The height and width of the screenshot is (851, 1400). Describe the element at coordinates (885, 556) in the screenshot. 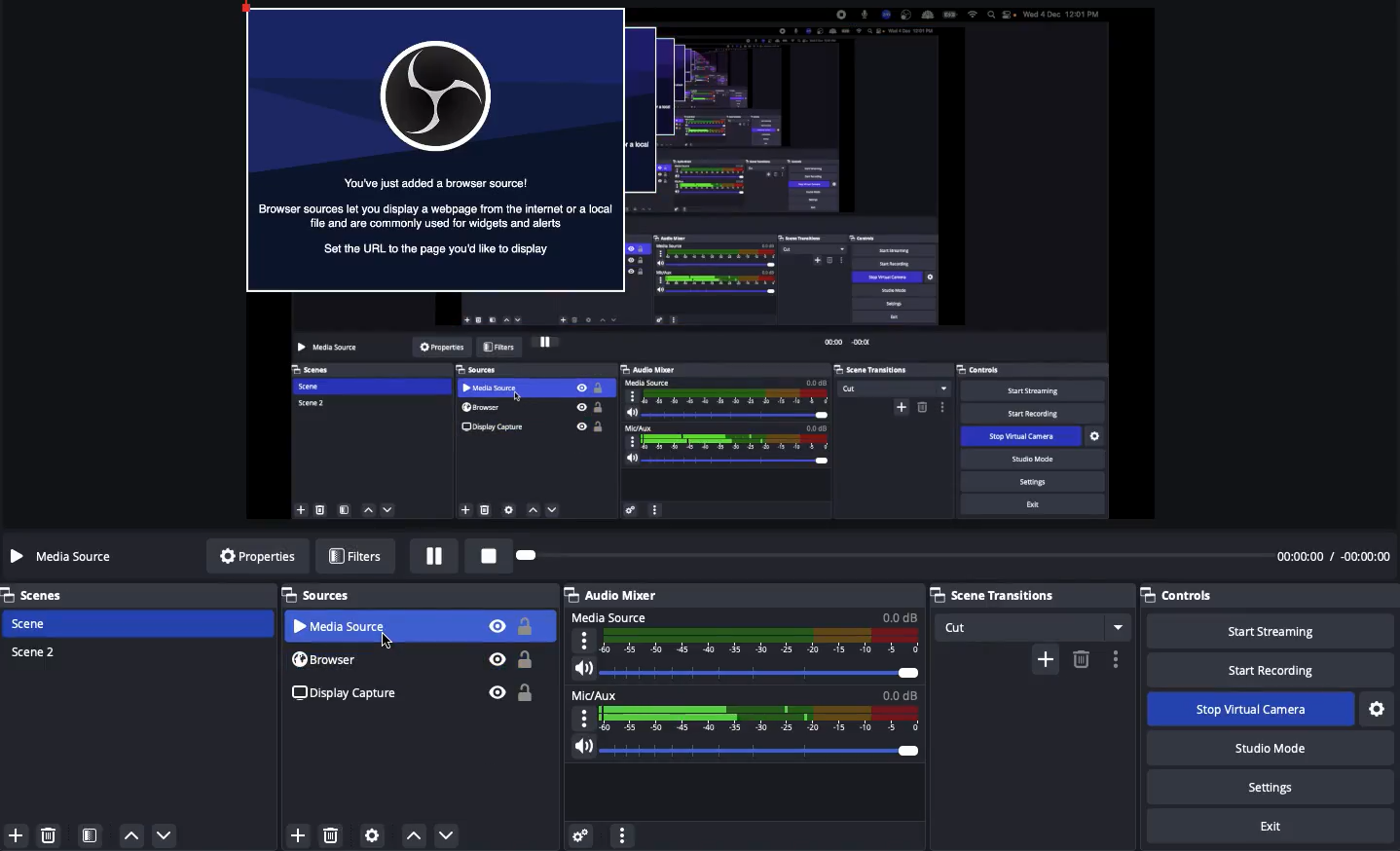

I see `Play` at that location.